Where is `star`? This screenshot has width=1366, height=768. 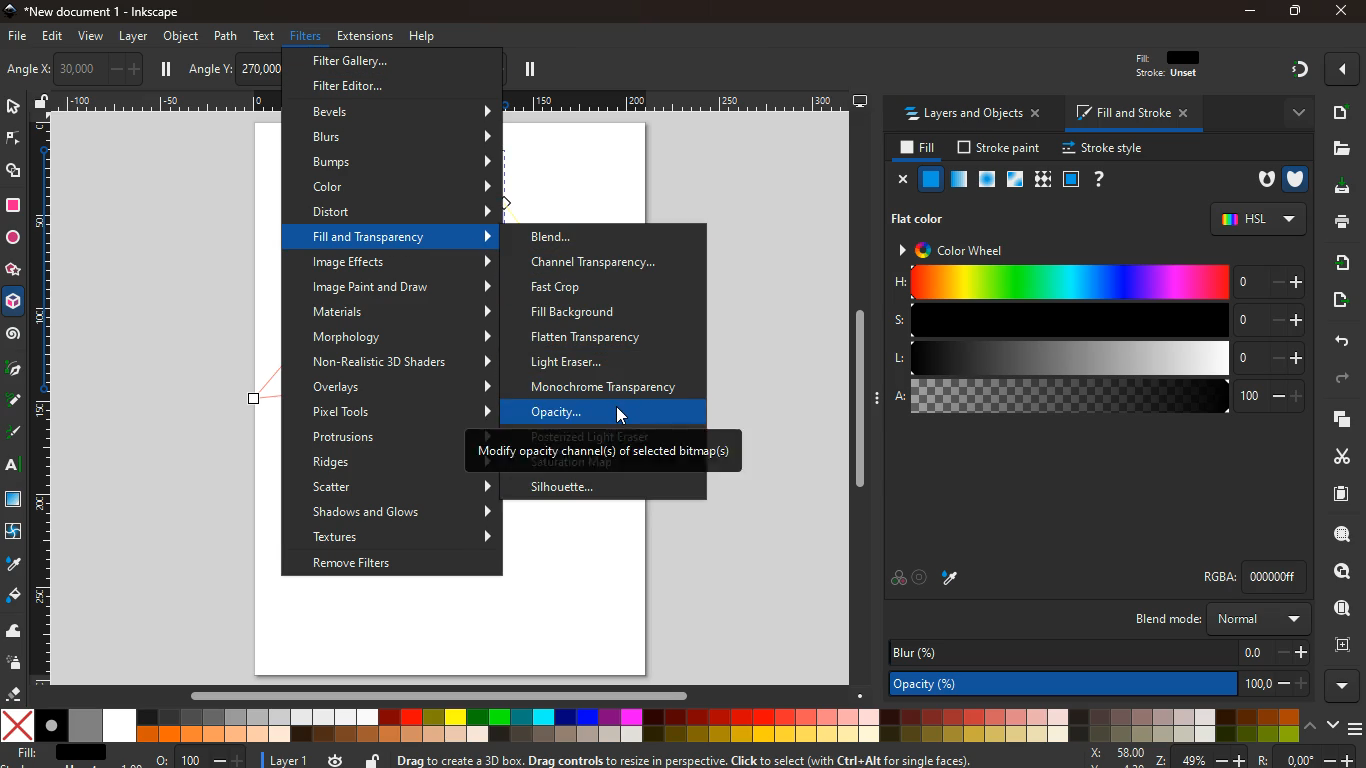
star is located at coordinates (14, 271).